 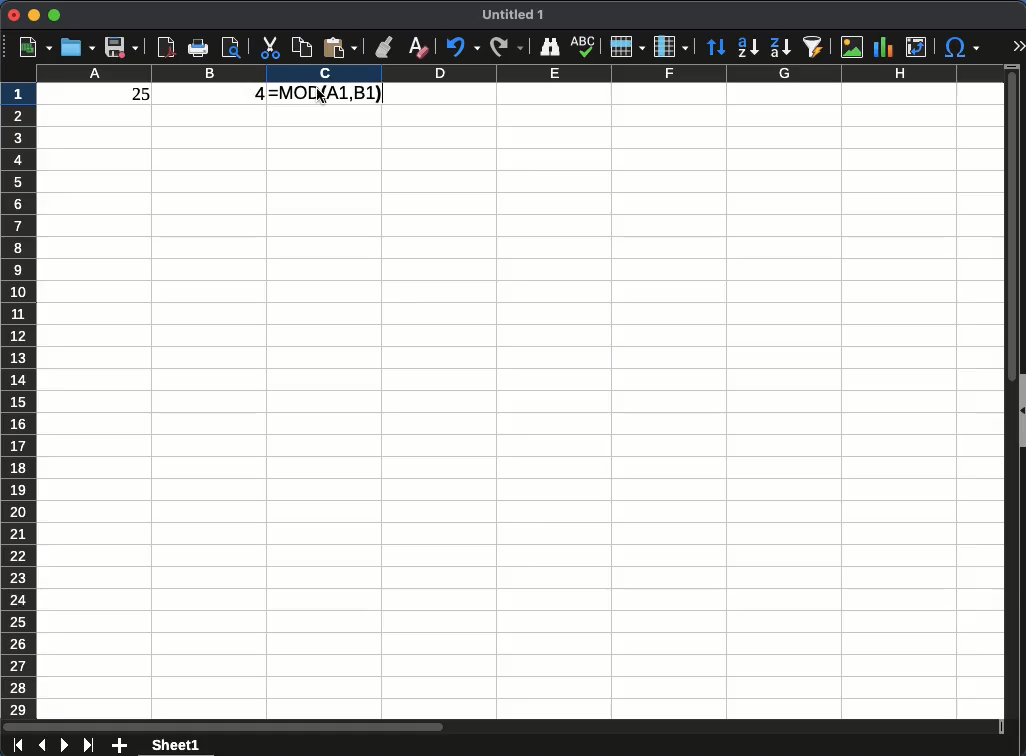 What do you see at coordinates (463, 47) in the screenshot?
I see `undo ` at bounding box center [463, 47].